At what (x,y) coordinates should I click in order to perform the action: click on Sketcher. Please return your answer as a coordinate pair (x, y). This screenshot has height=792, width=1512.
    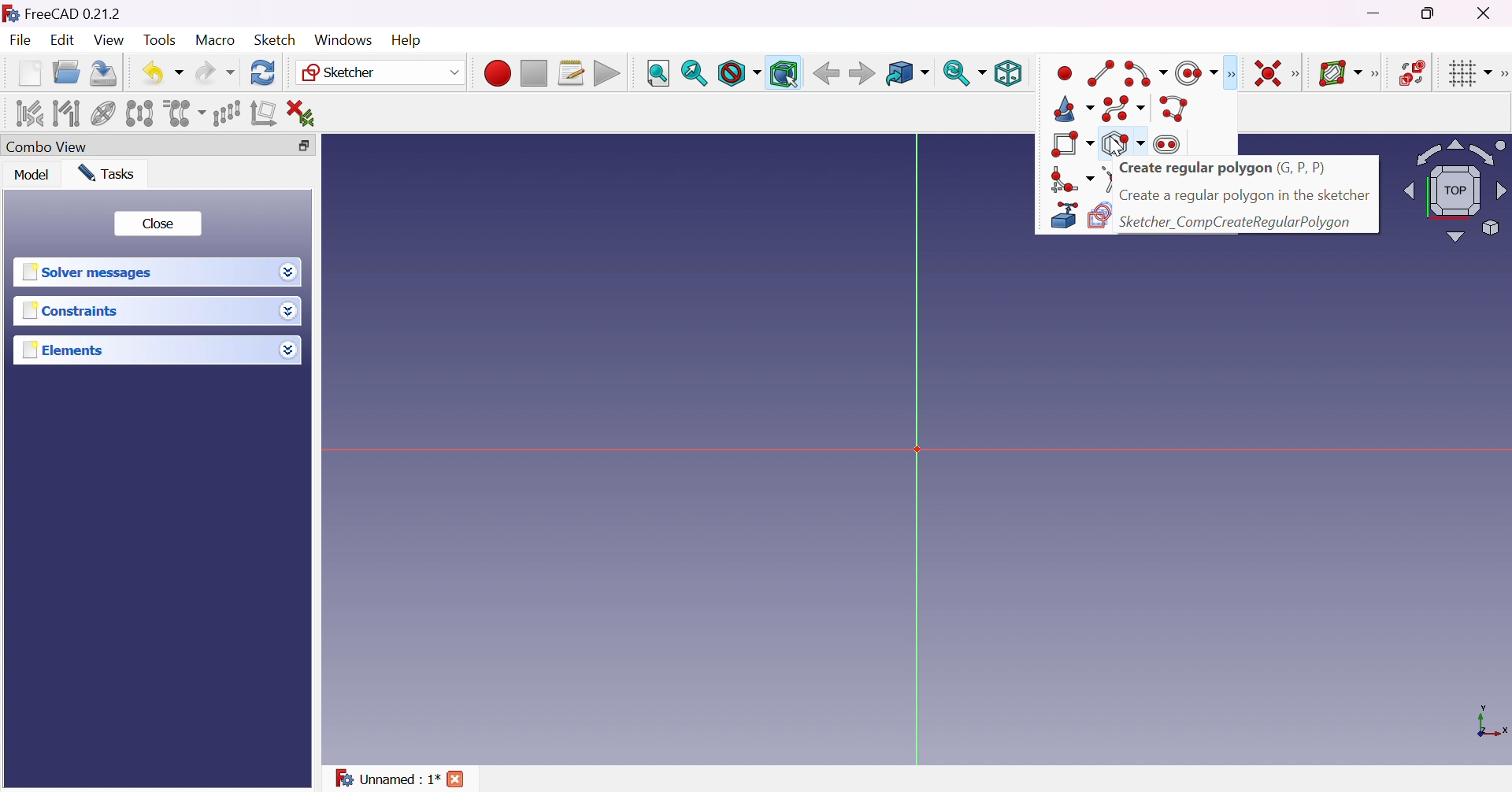
    Looking at the image, I should click on (381, 72).